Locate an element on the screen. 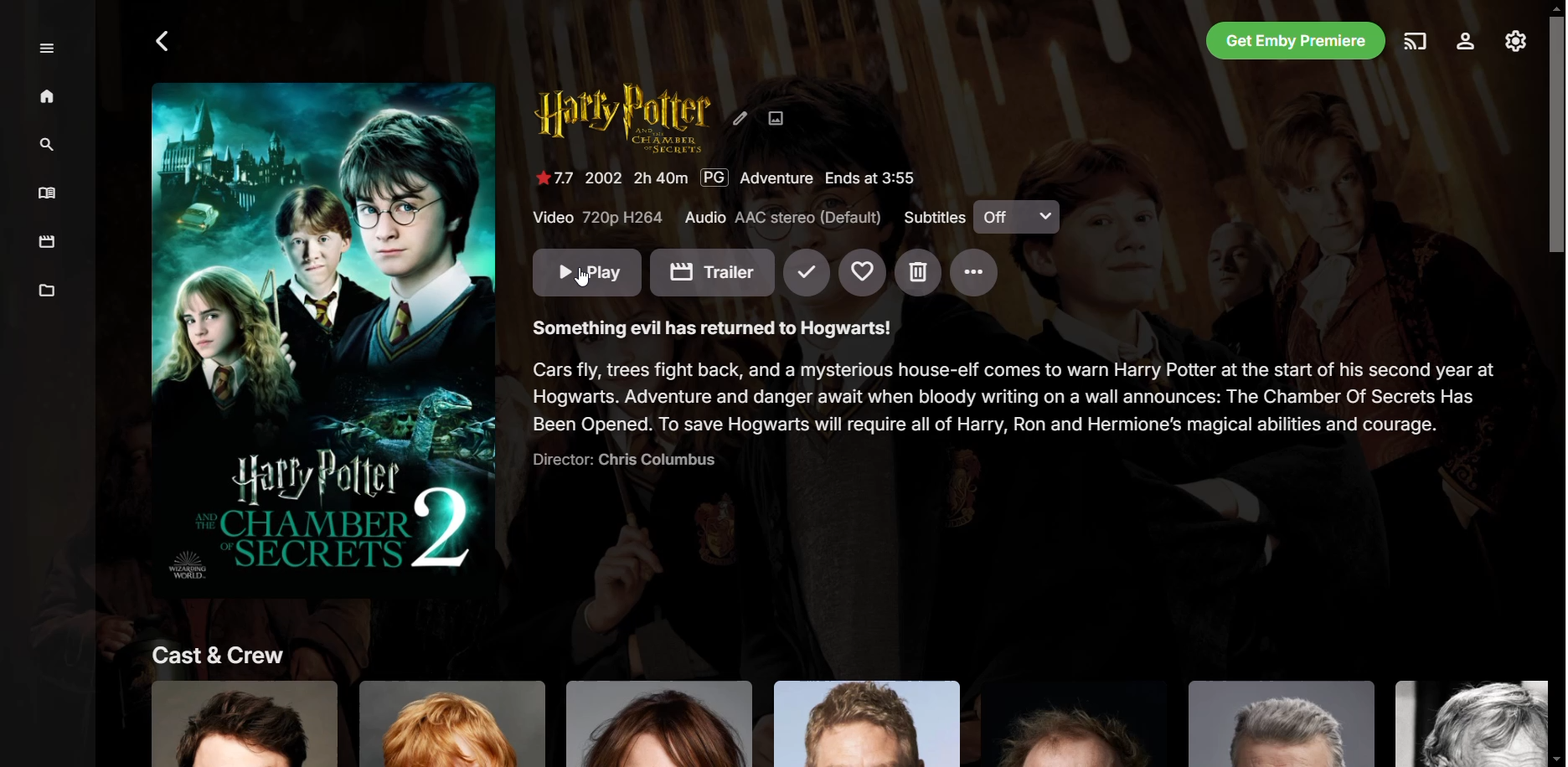 This screenshot has height=767, width=1568. Play on another device is located at coordinates (1416, 42).